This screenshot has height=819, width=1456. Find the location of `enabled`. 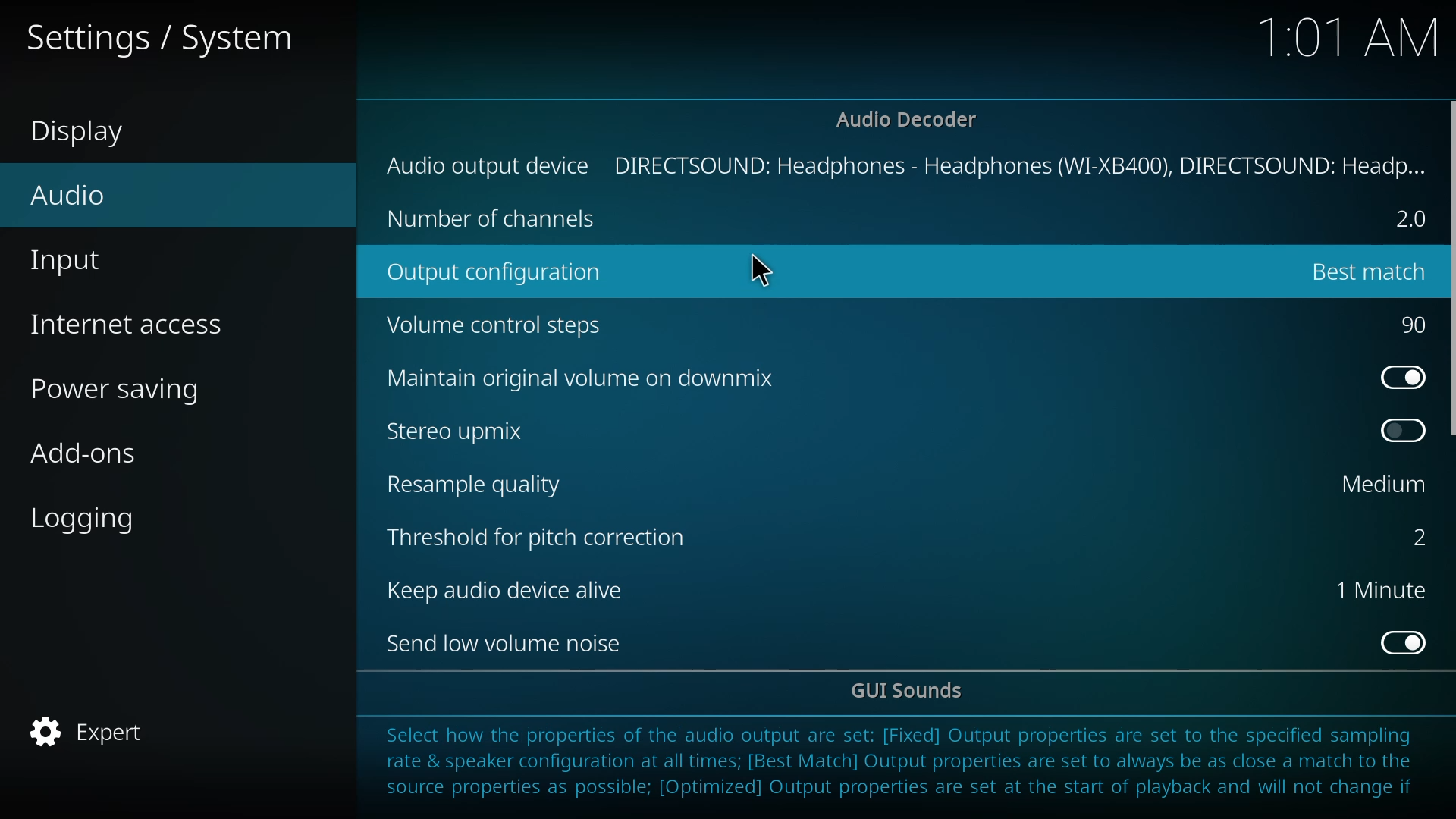

enabled is located at coordinates (1398, 641).